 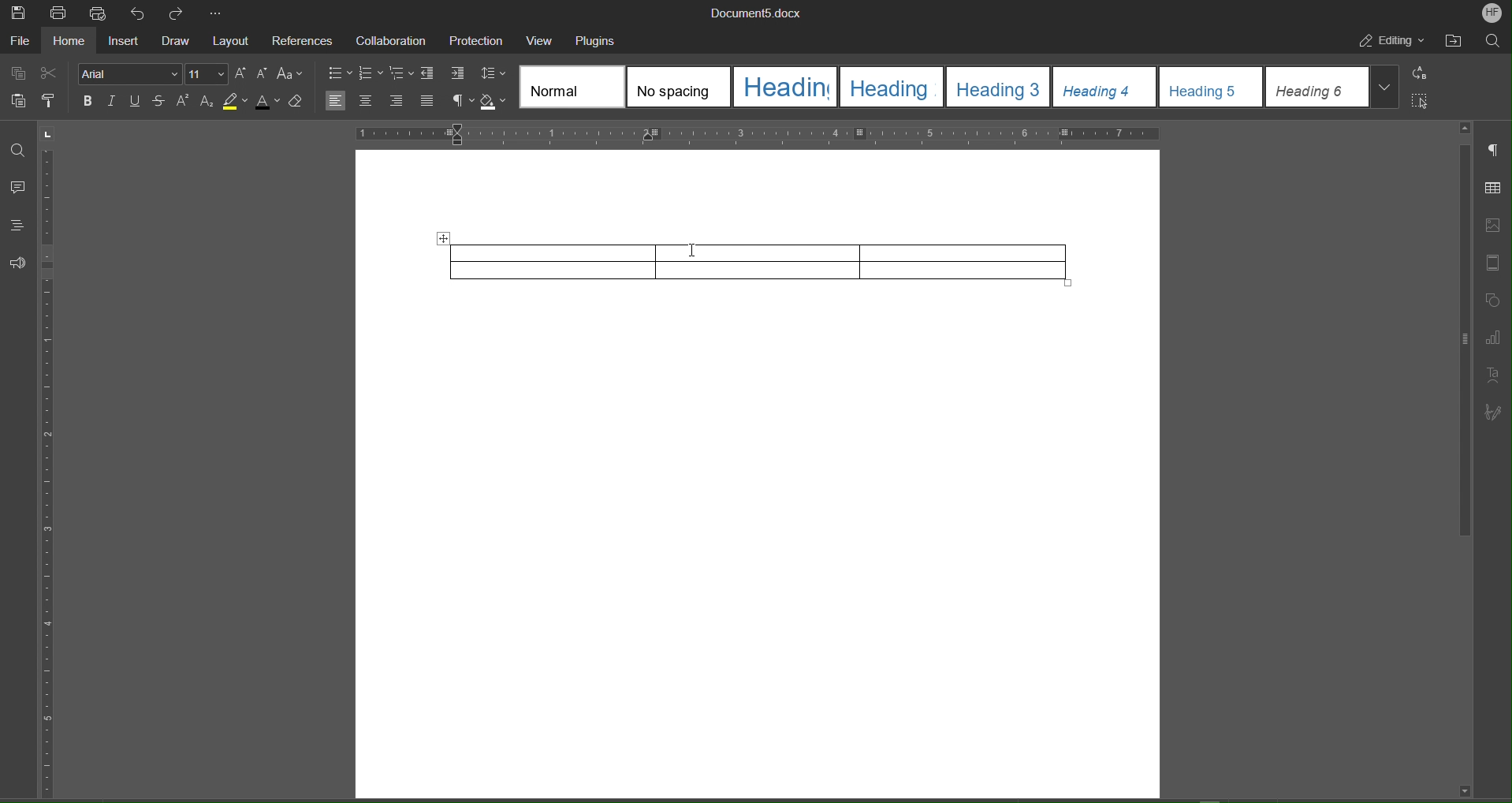 I want to click on Vertical Ruler, so click(x=50, y=472).